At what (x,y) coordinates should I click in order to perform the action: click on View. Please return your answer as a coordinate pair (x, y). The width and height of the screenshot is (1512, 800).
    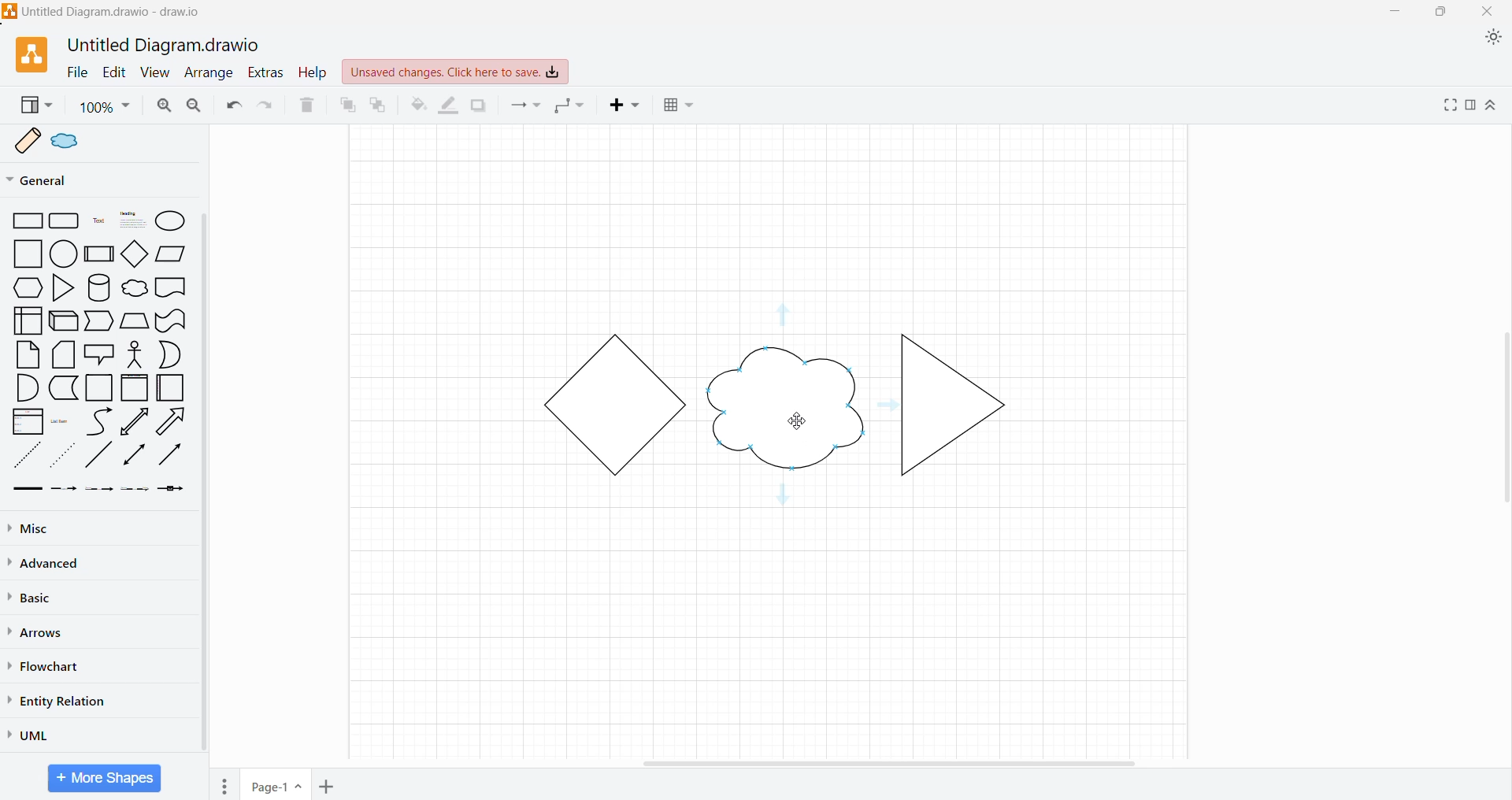
    Looking at the image, I should click on (156, 72).